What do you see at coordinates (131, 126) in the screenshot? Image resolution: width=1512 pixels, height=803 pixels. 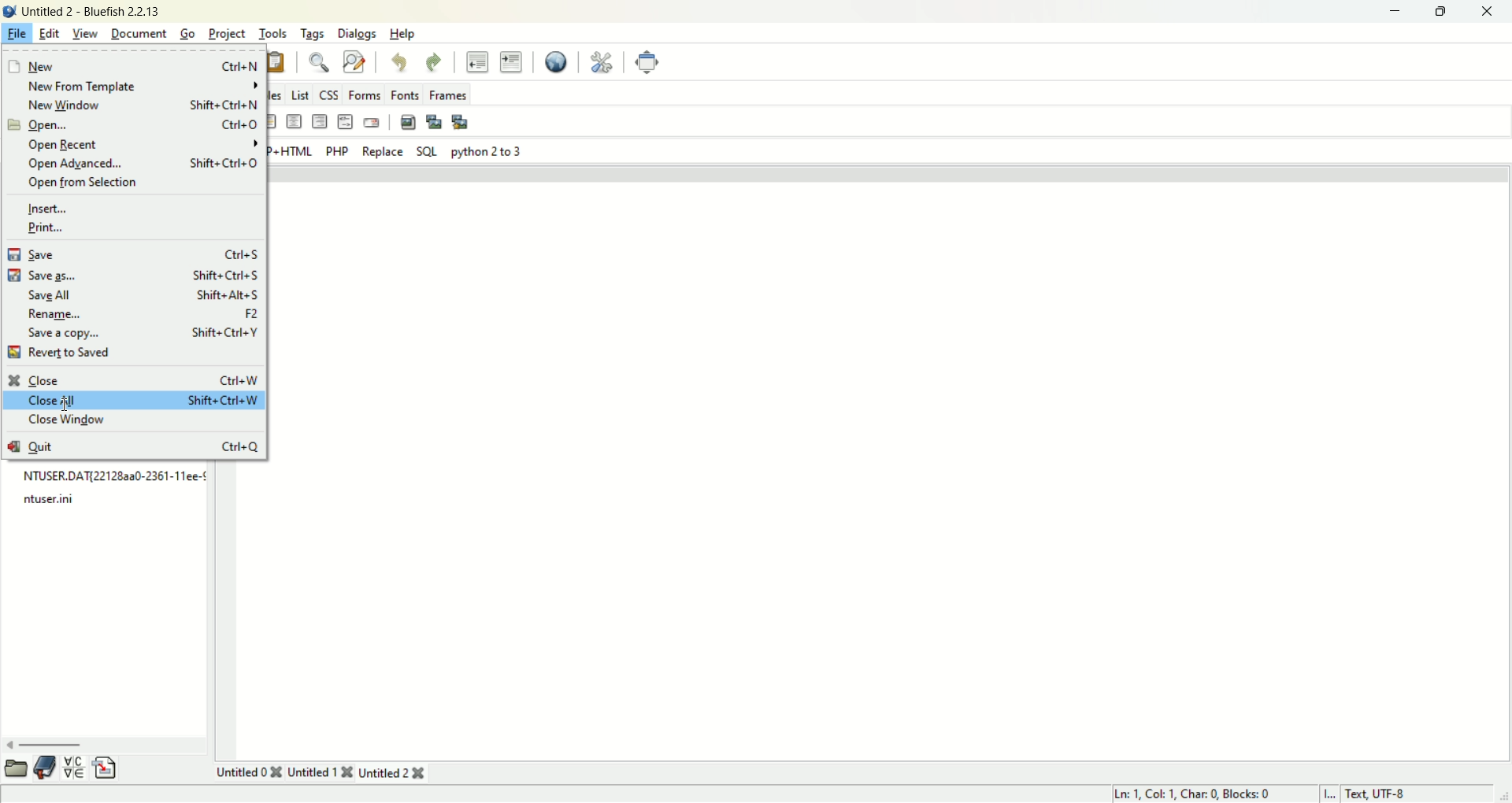 I see `open` at bounding box center [131, 126].